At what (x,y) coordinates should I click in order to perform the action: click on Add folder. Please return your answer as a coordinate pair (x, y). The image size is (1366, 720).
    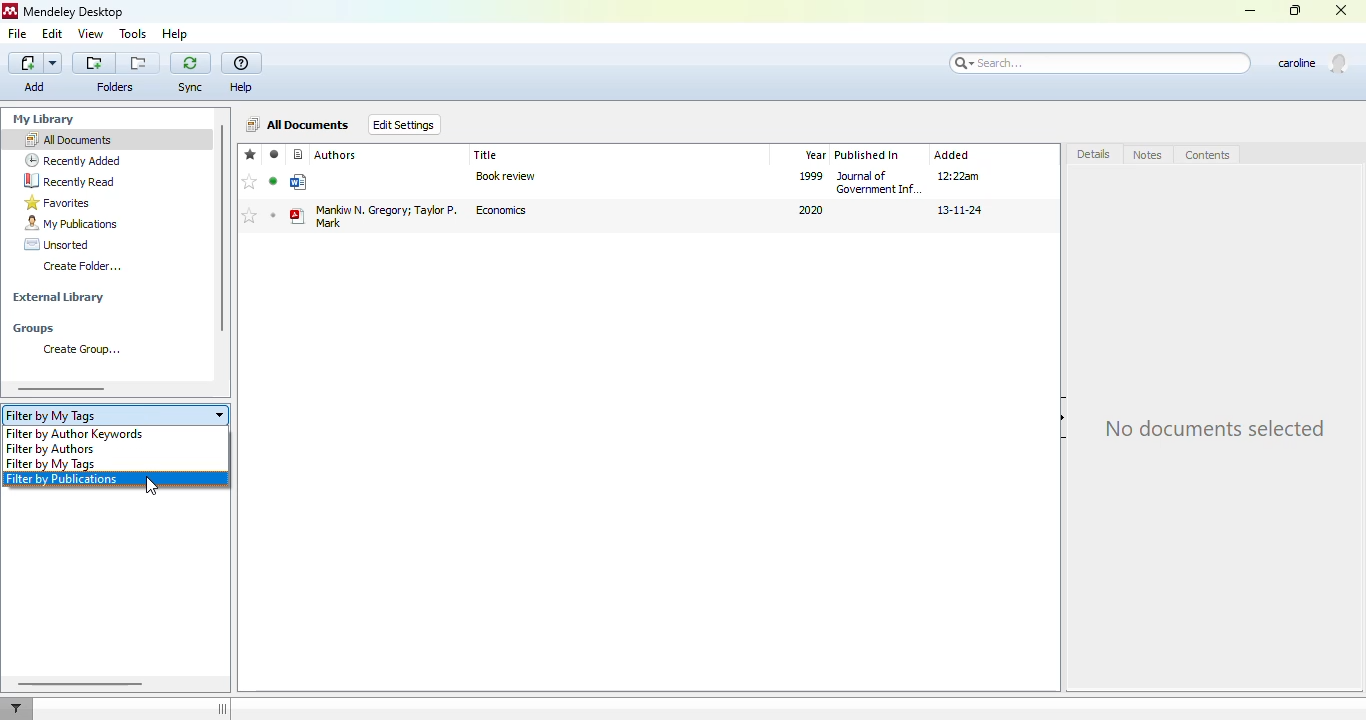
    Looking at the image, I should click on (94, 63).